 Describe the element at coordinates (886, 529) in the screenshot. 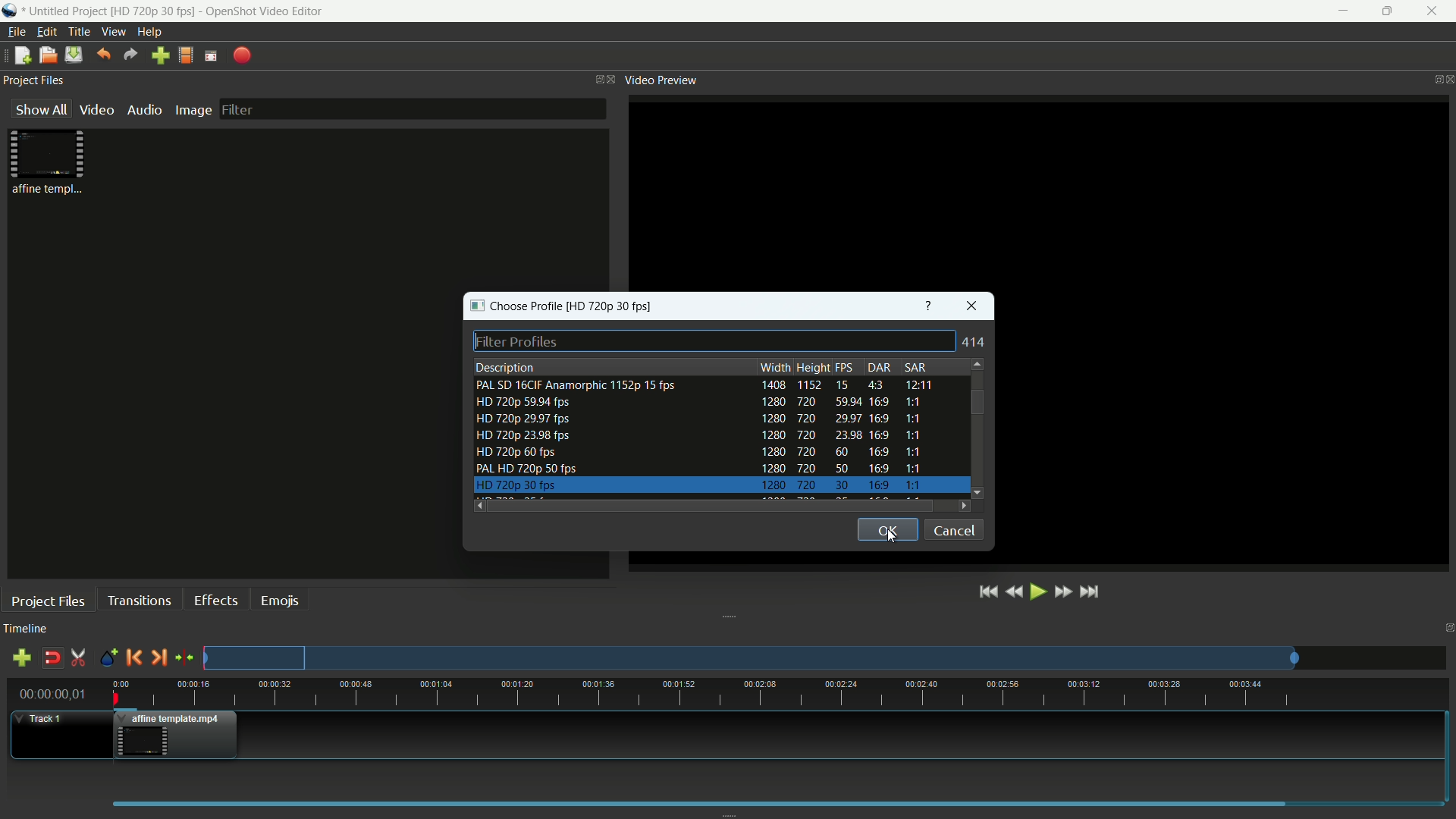

I see `ok` at that location.